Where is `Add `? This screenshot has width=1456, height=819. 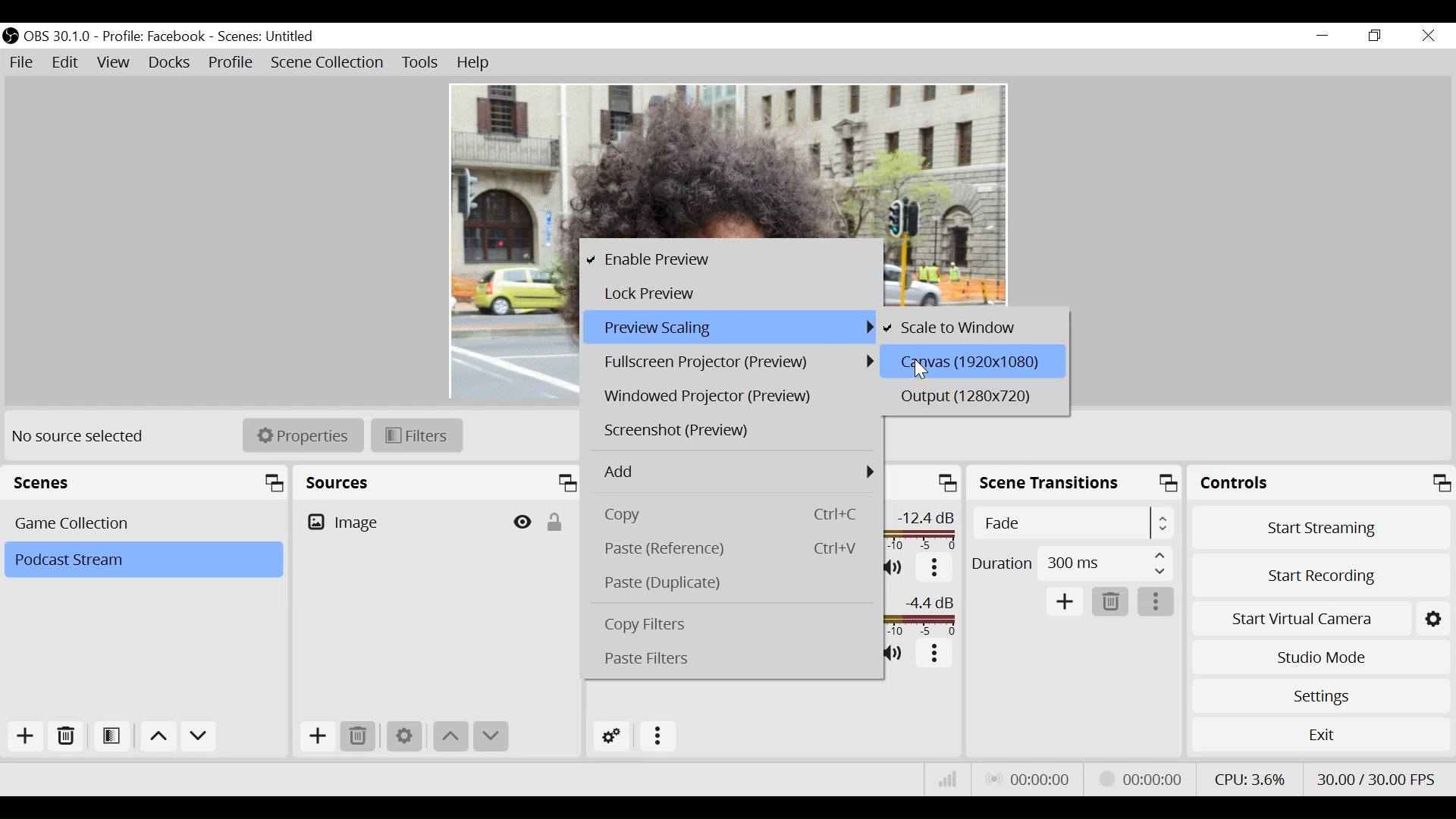
Add  is located at coordinates (26, 736).